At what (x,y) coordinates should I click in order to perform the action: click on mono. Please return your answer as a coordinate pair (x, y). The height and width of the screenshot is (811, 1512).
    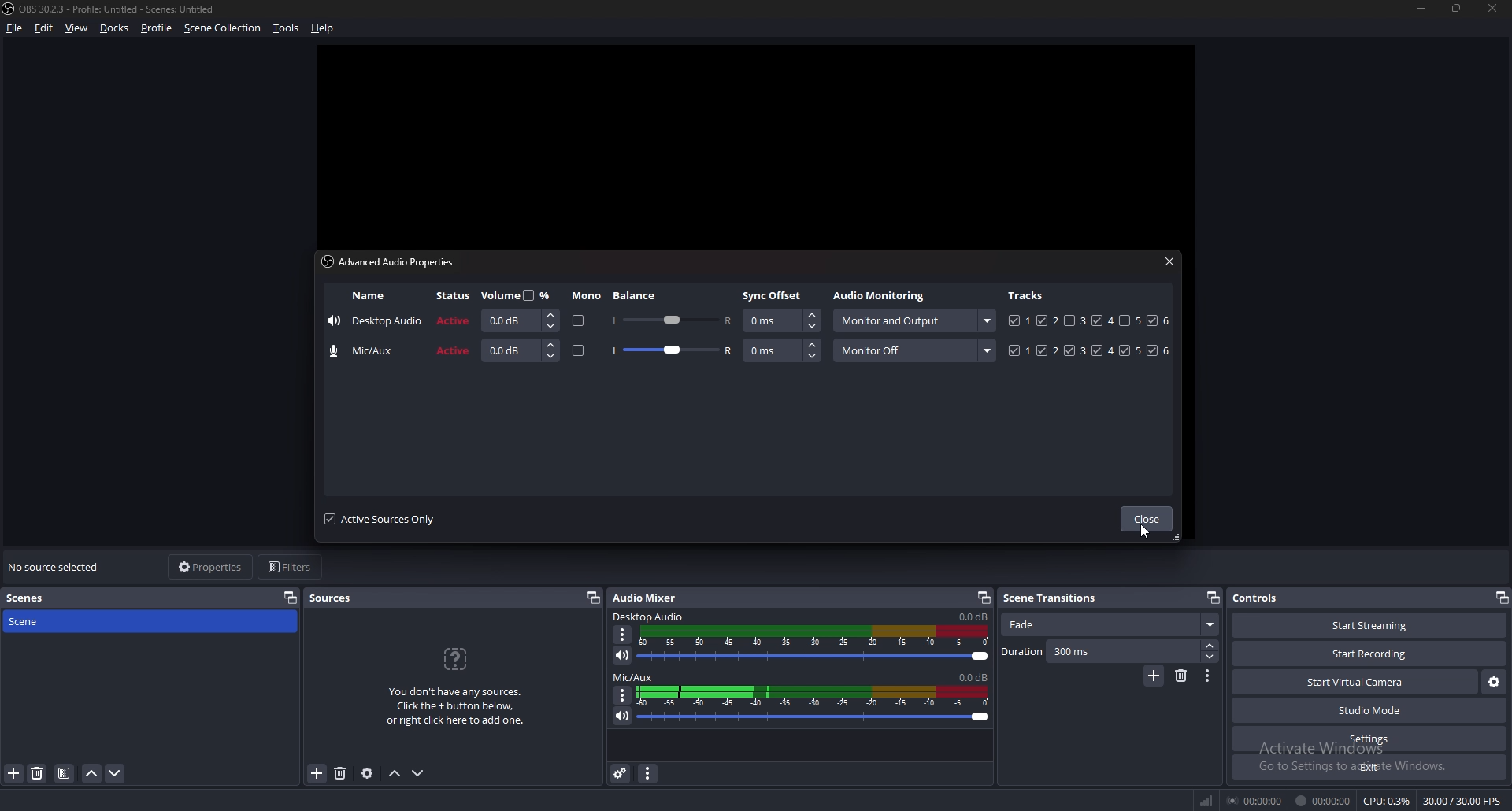
    Looking at the image, I should click on (579, 352).